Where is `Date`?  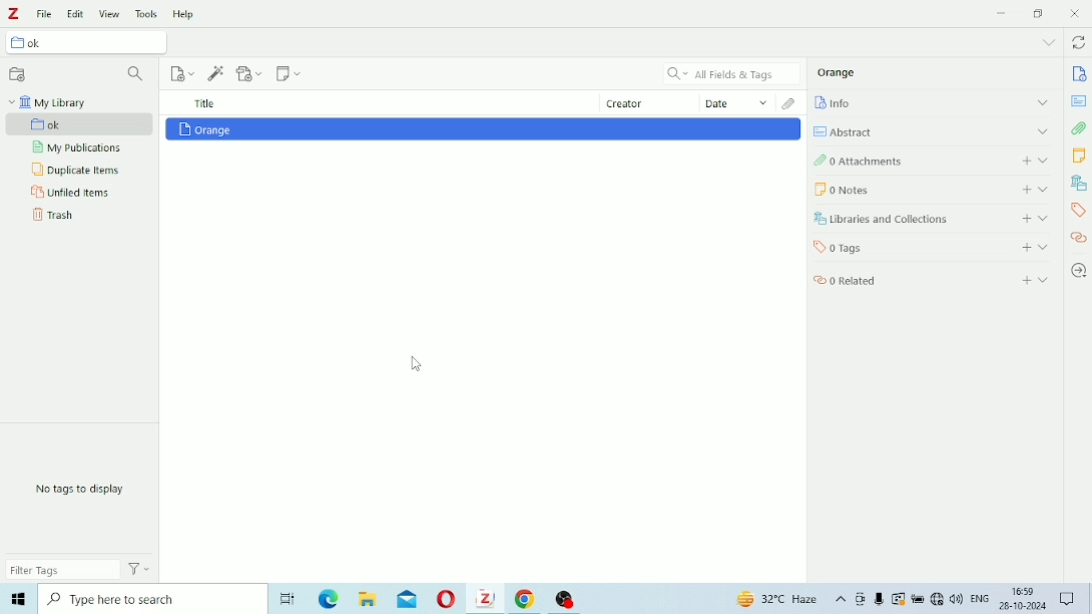
Date is located at coordinates (737, 102).